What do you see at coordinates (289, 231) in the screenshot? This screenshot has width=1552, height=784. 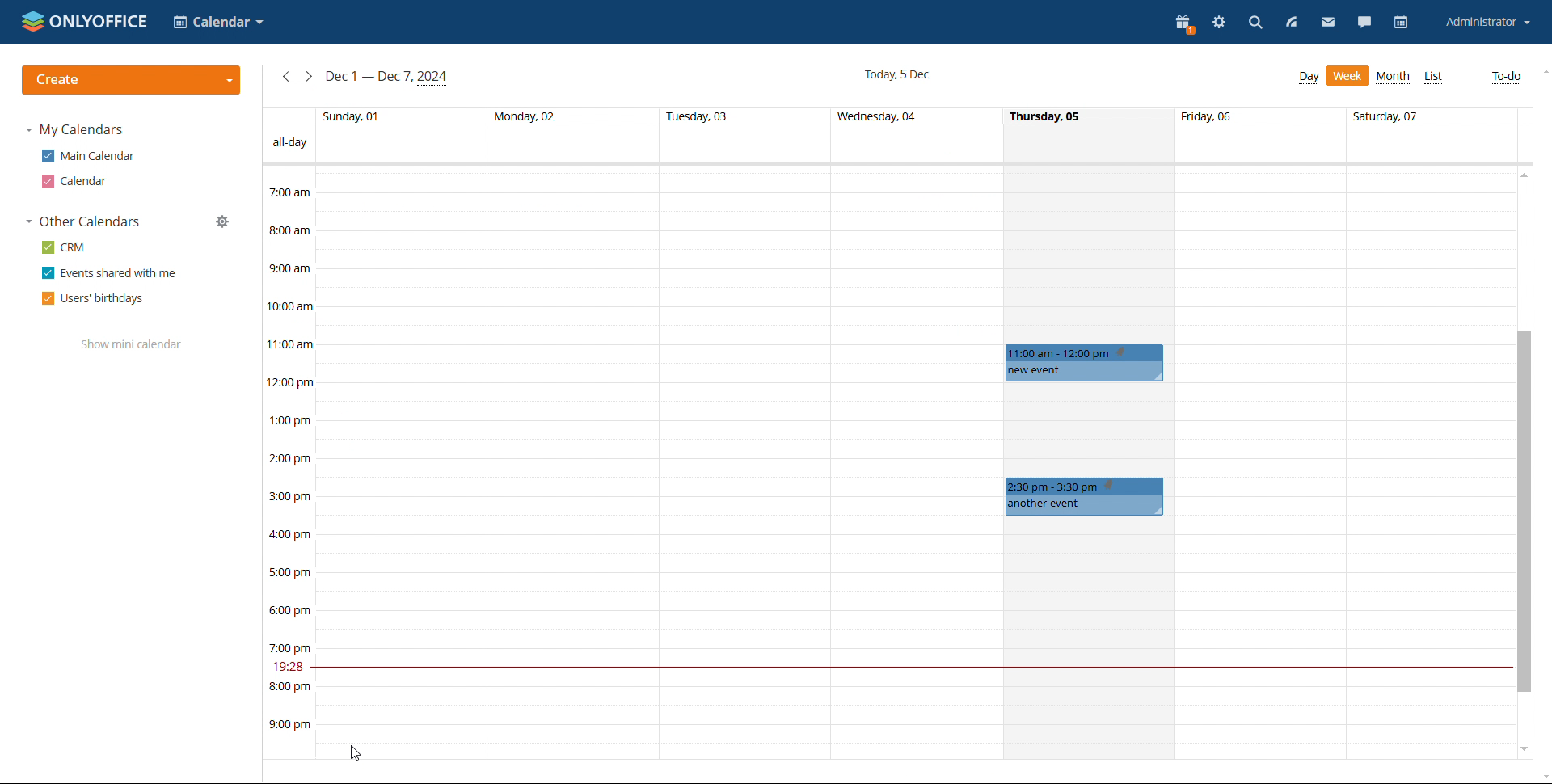 I see `8:00 am` at bounding box center [289, 231].